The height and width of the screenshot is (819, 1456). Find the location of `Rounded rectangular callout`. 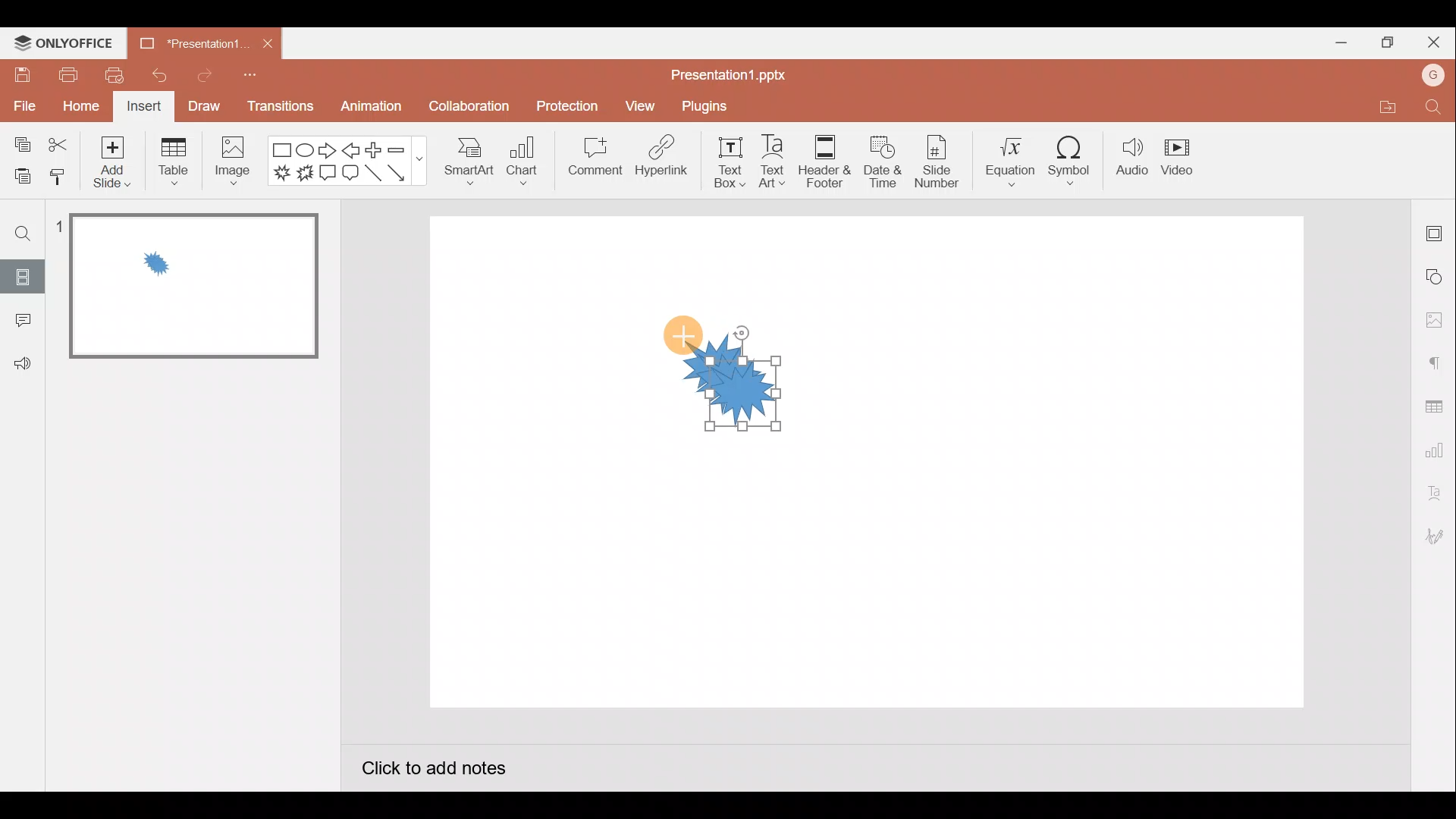

Rounded rectangular callout is located at coordinates (350, 174).